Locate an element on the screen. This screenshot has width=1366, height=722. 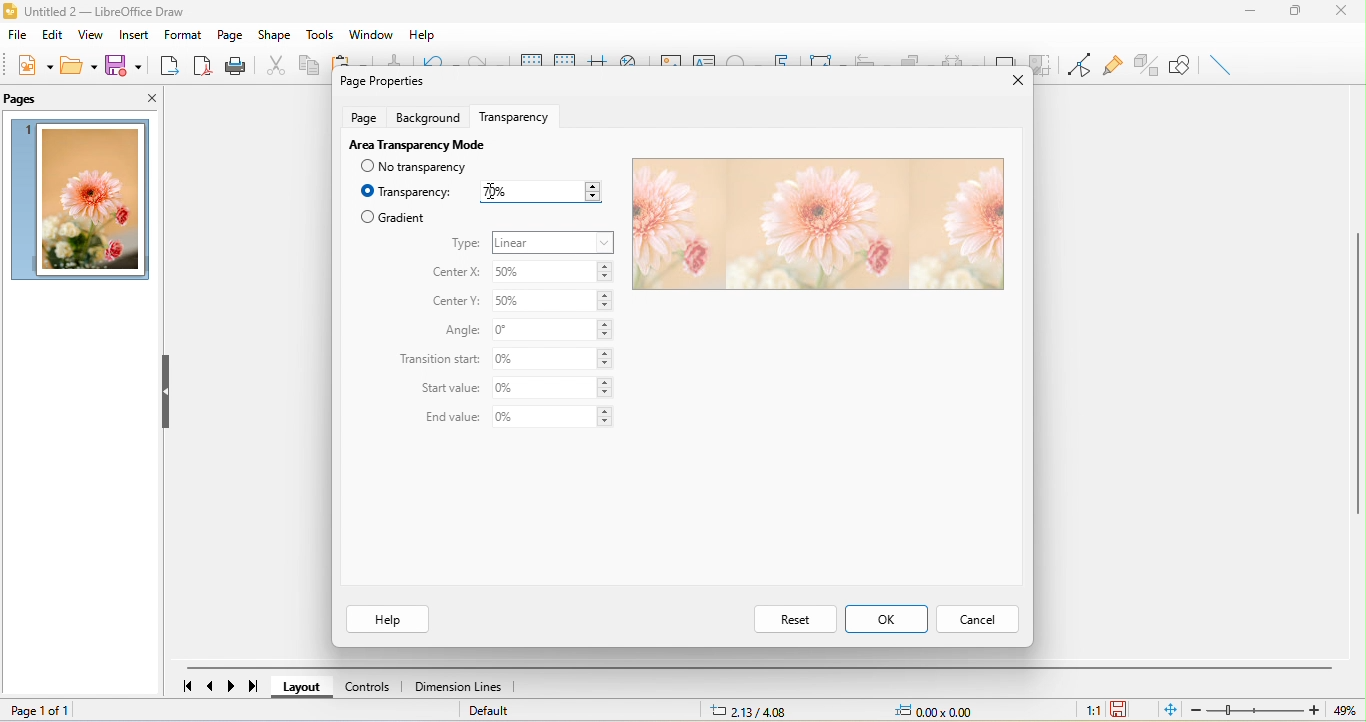
vertical scroll bar is located at coordinates (1357, 371).